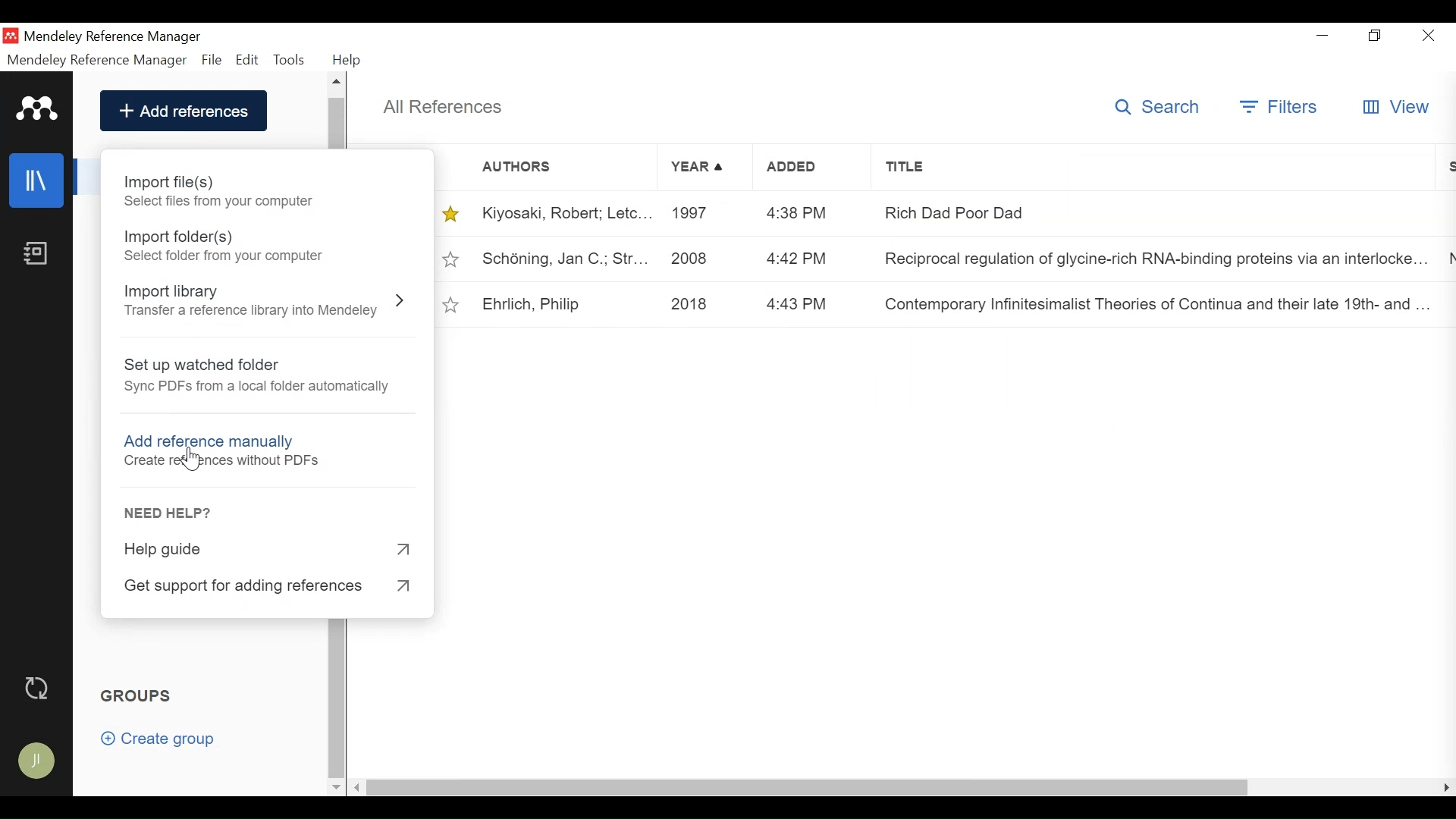 Image resolution: width=1456 pixels, height=819 pixels. What do you see at coordinates (703, 259) in the screenshot?
I see `2008` at bounding box center [703, 259].